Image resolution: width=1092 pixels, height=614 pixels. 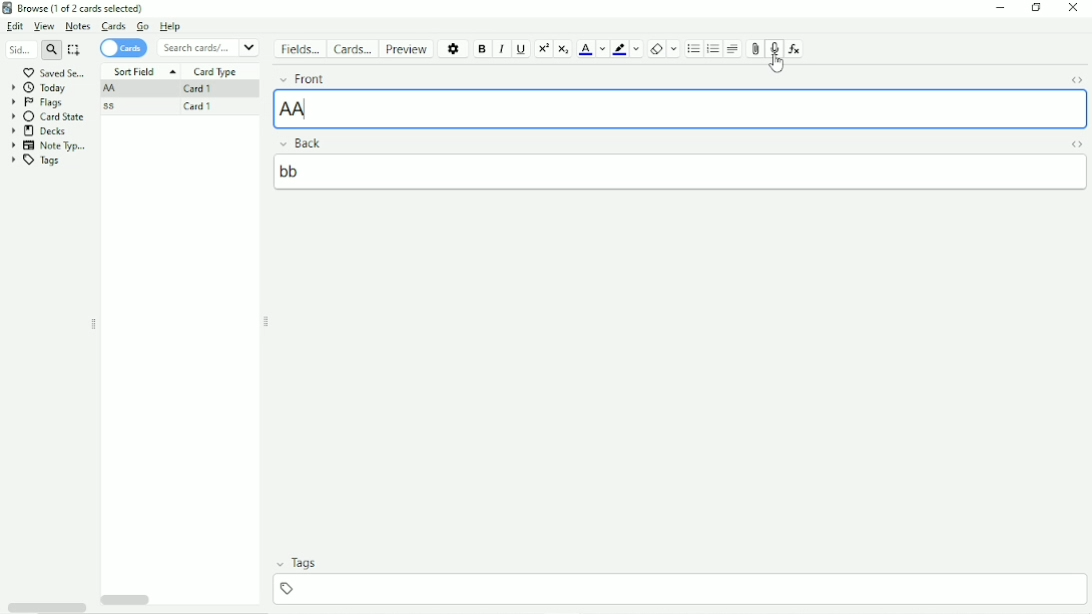 I want to click on bb, so click(x=670, y=172).